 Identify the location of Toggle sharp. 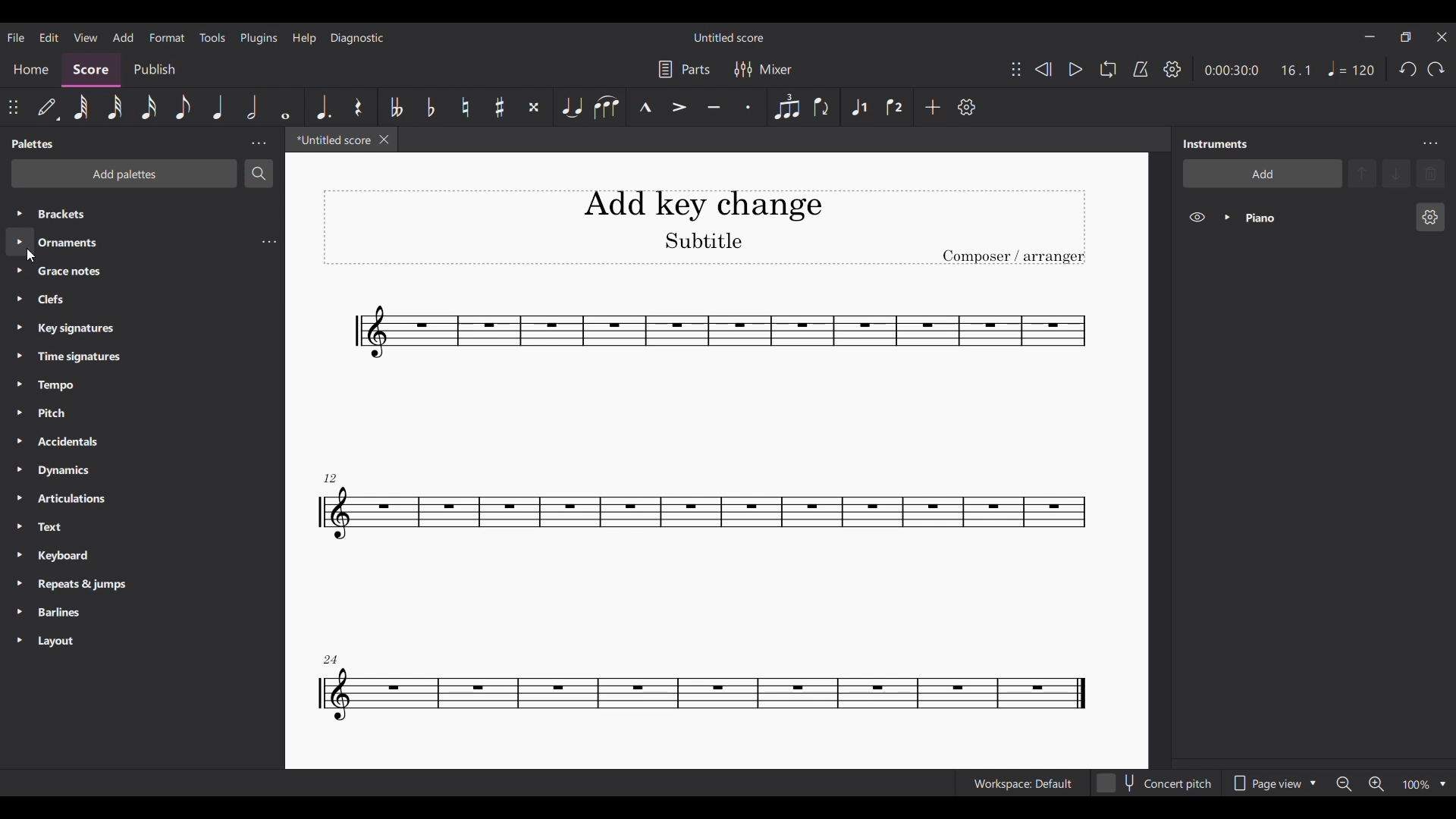
(499, 108).